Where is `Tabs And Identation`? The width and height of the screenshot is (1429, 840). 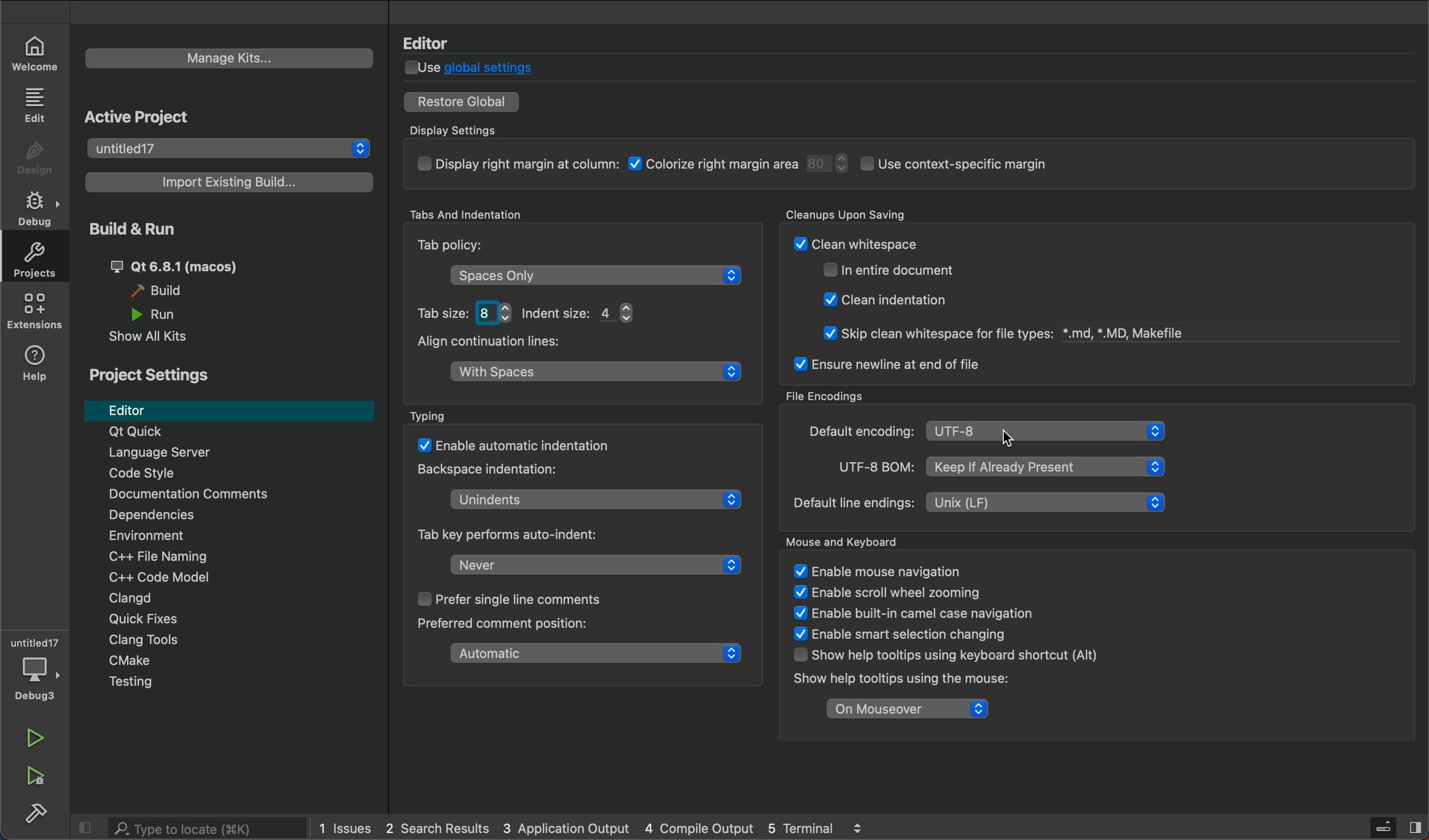
Tabs And Identation is located at coordinates (499, 213).